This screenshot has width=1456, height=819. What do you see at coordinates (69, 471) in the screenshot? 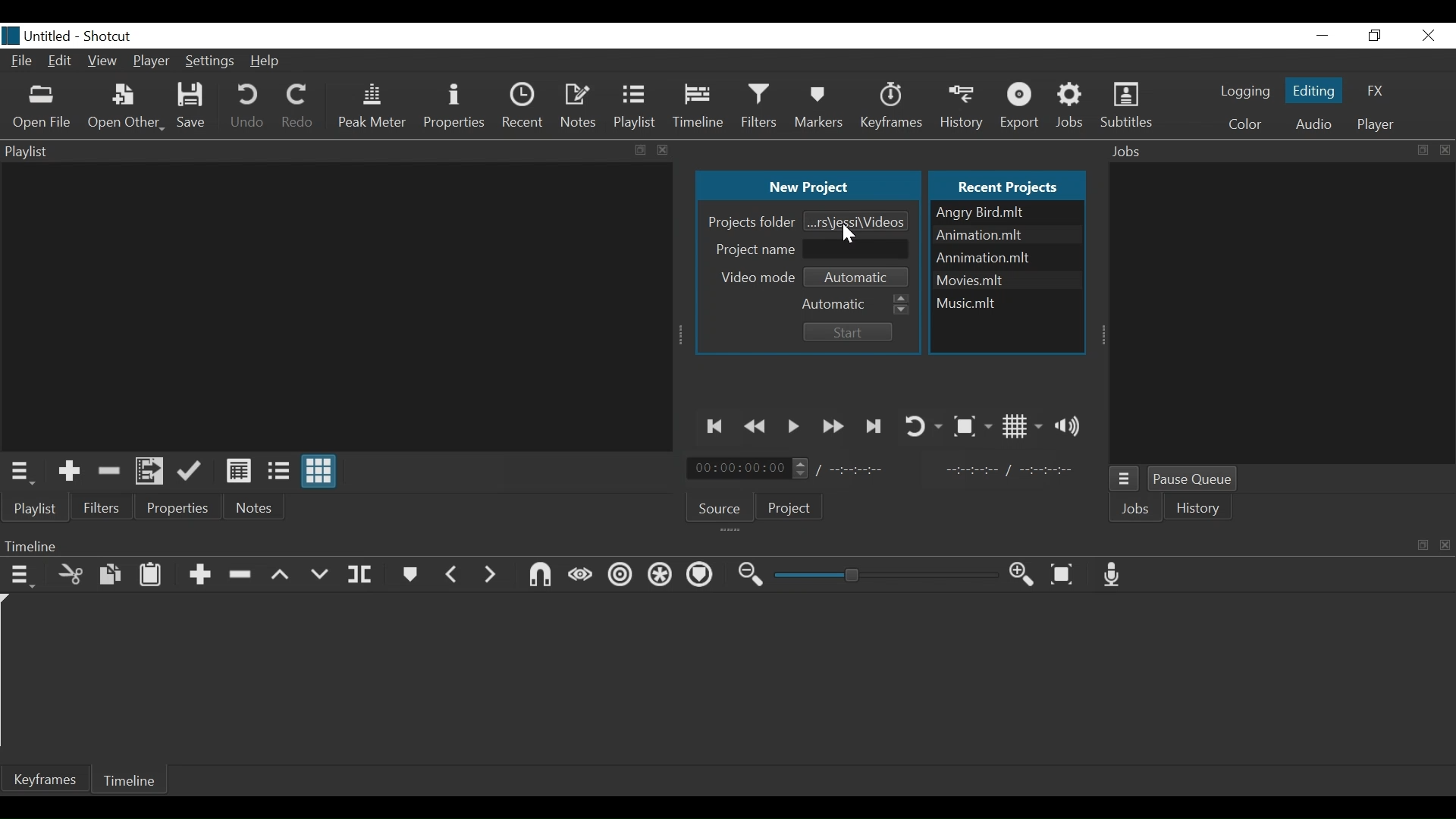
I see `Add the Source to the playlist` at bounding box center [69, 471].